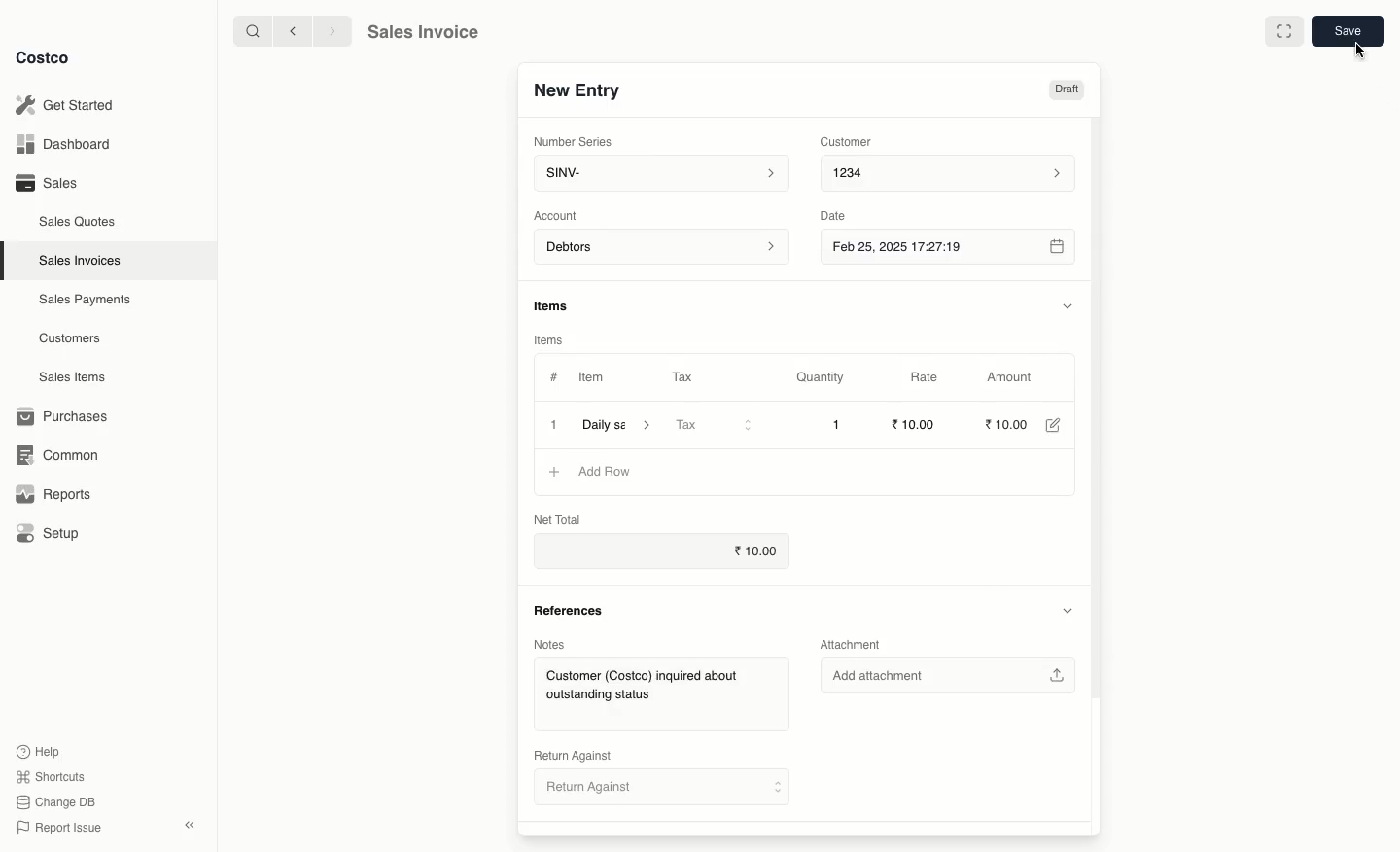  What do you see at coordinates (553, 519) in the screenshot?
I see `Net Total` at bounding box center [553, 519].